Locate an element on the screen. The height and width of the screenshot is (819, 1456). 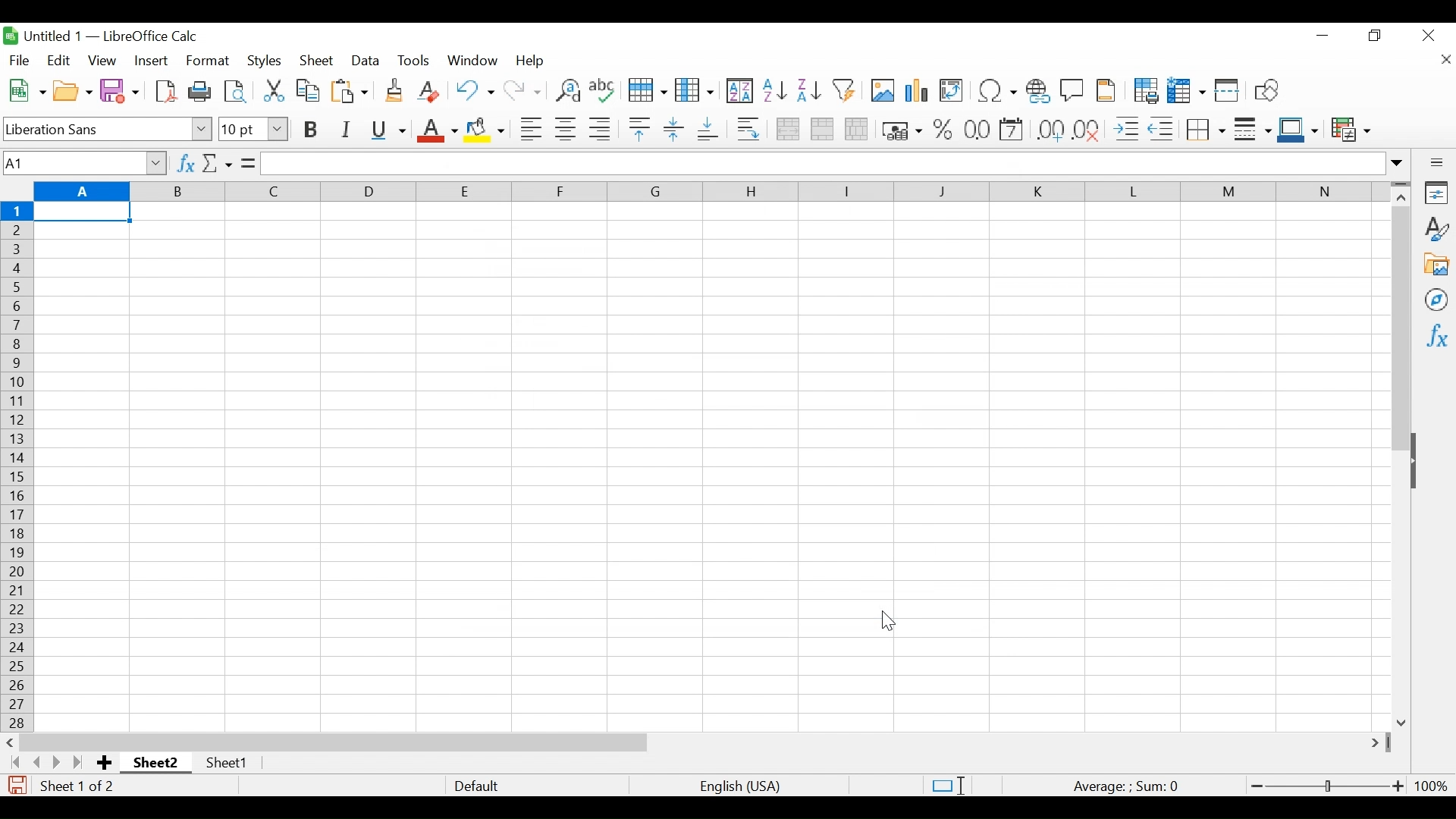
Conditional is located at coordinates (1350, 131).